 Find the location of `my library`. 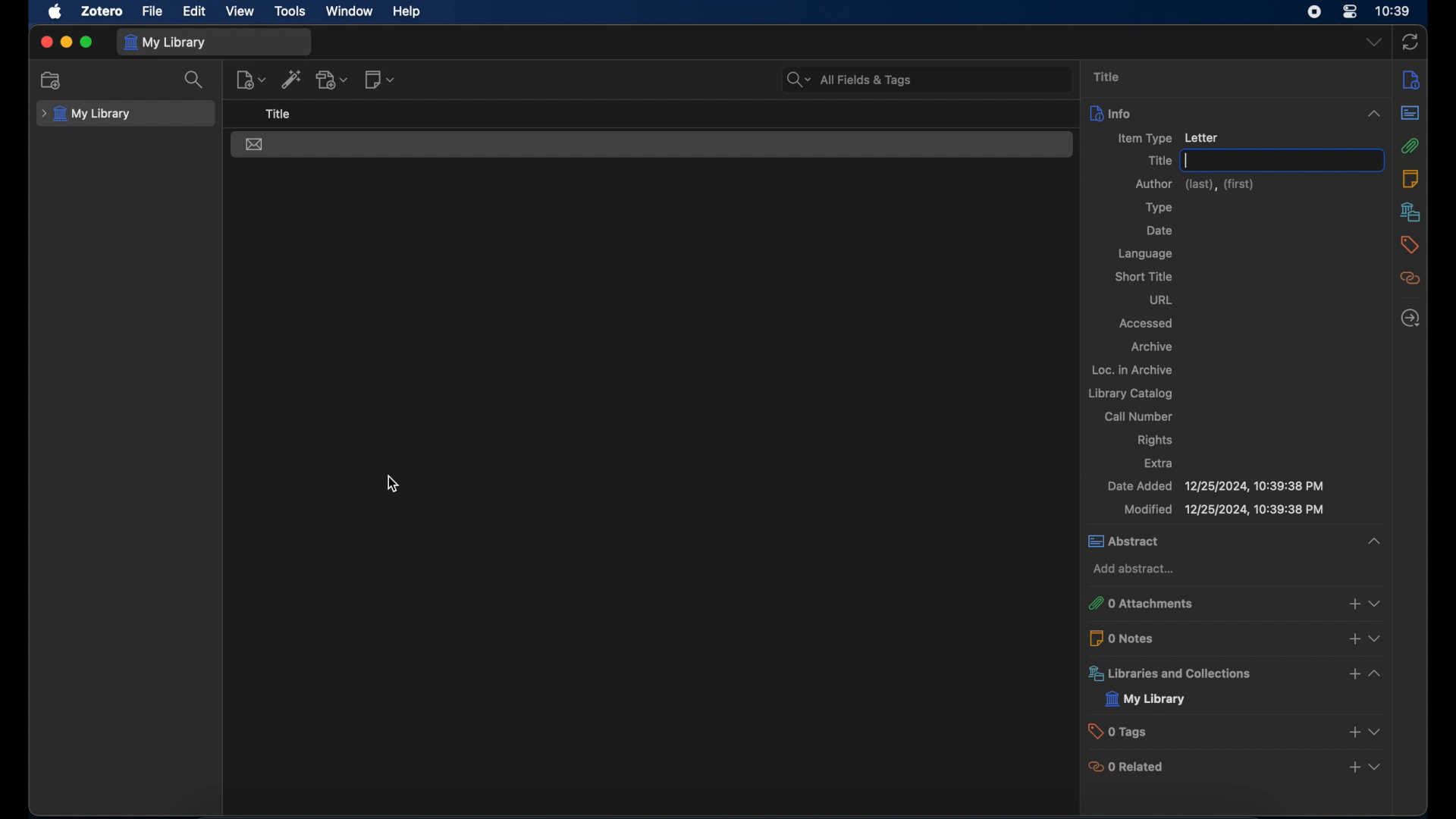

my library is located at coordinates (1147, 701).